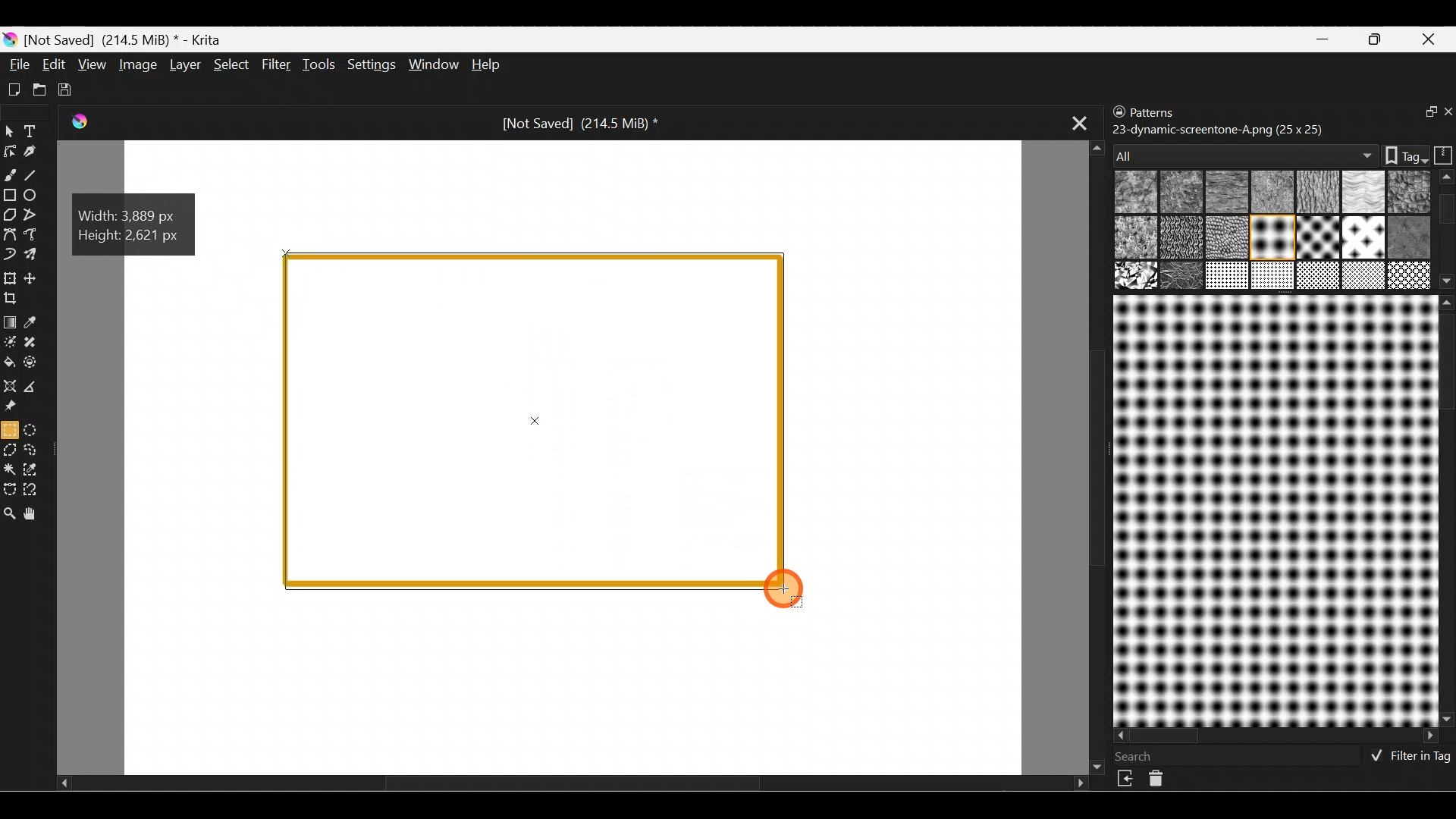 The image size is (1456, 819). Describe the element at coordinates (37, 277) in the screenshot. I see `Move a layer` at that location.